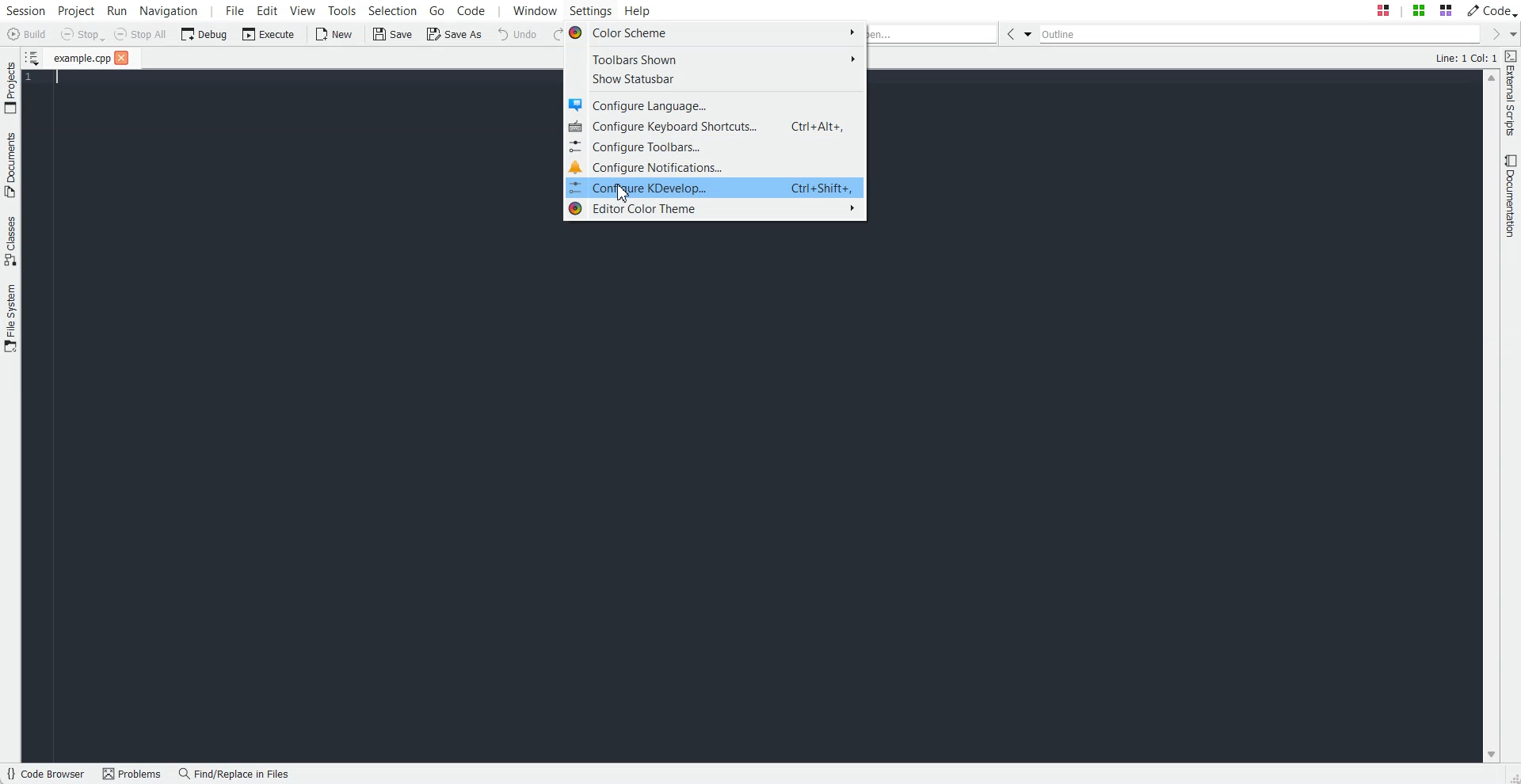 This screenshot has height=784, width=1521. What do you see at coordinates (33, 56) in the screenshot?
I see `Show sorted list` at bounding box center [33, 56].